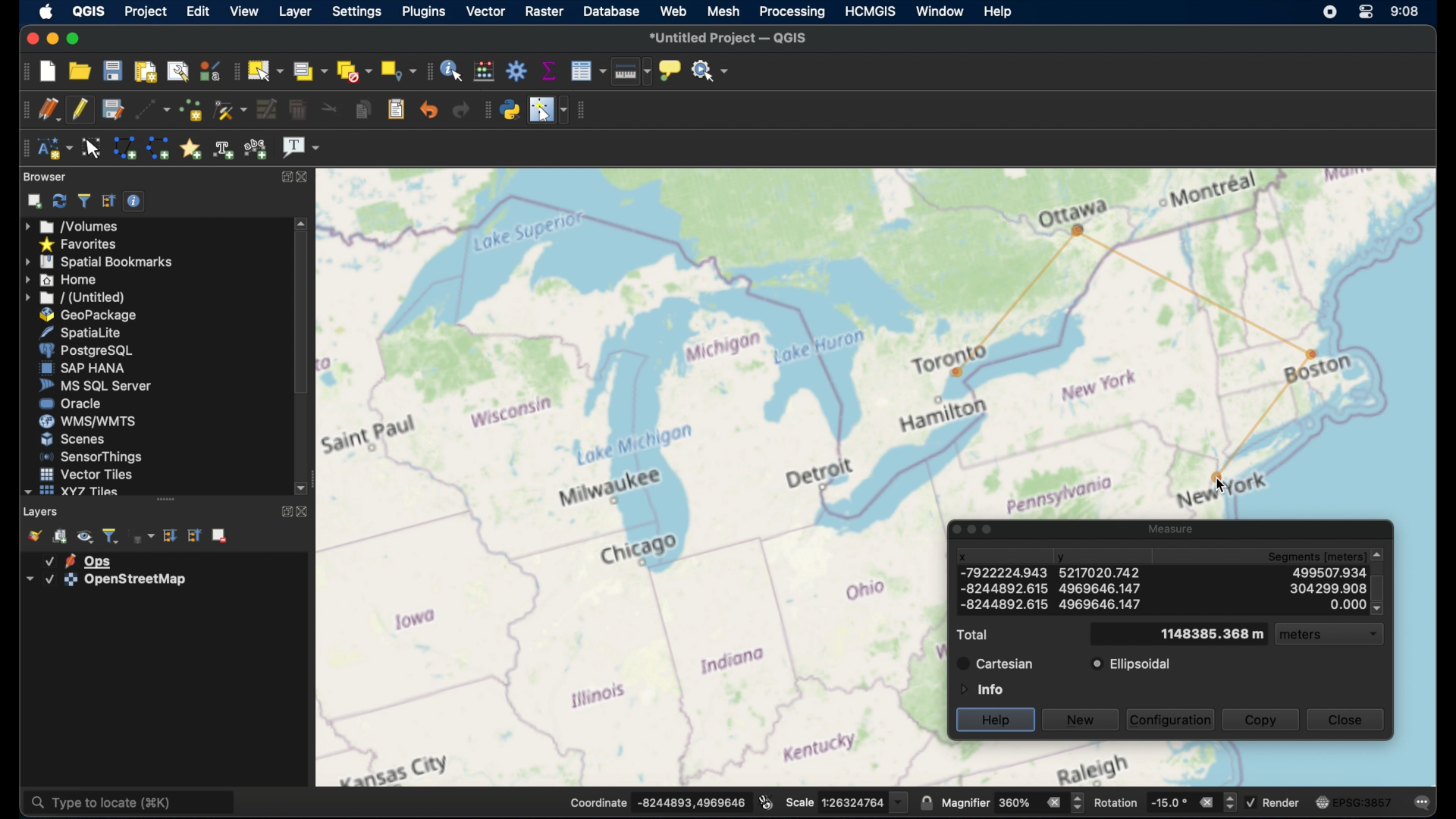 The width and height of the screenshot is (1456, 819). What do you see at coordinates (792, 12) in the screenshot?
I see `processing` at bounding box center [792, 12].